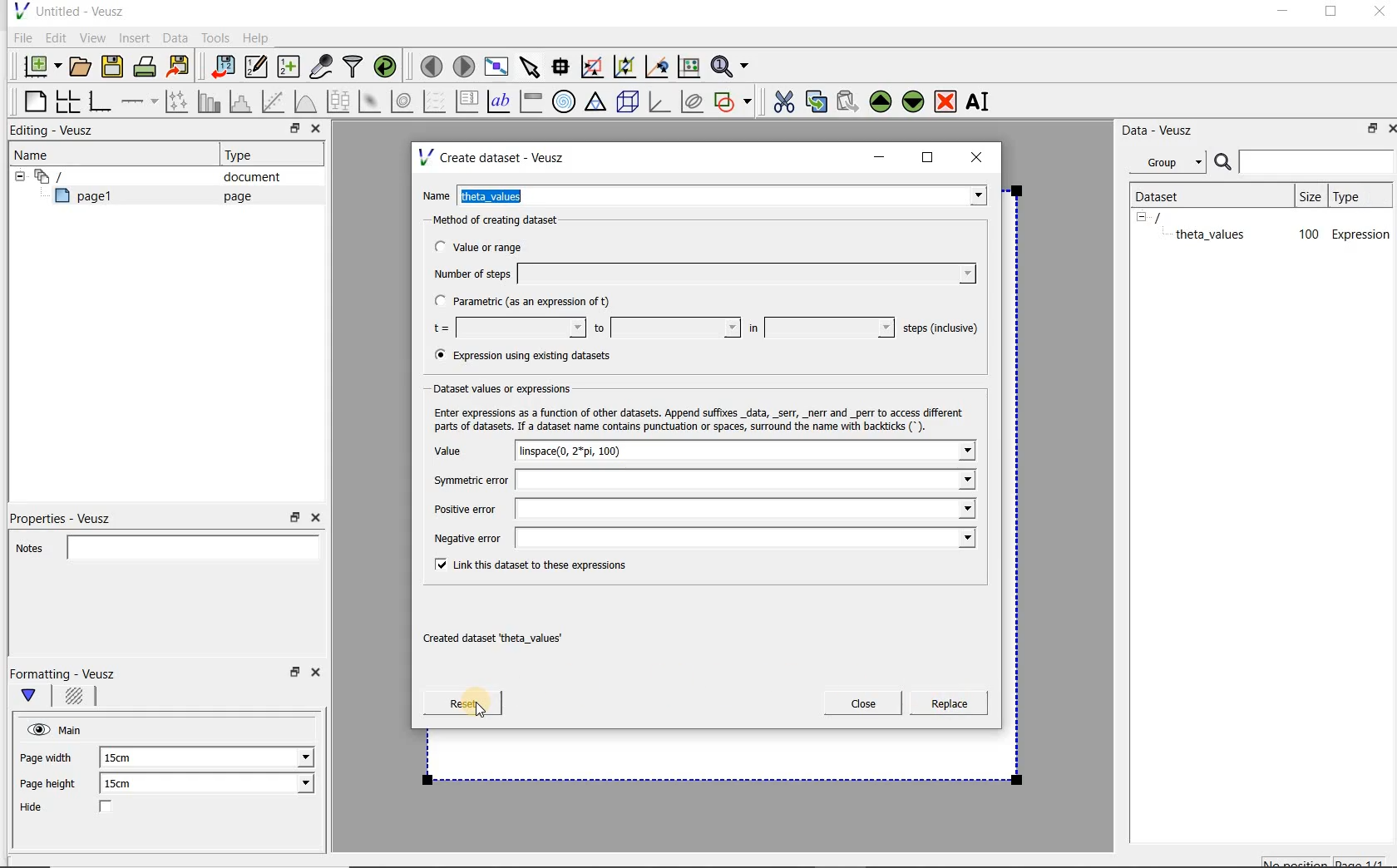 The width and height of the screenshot is (1397, 868). I want to click on Edit and enter new datasets, so click(257, 67).